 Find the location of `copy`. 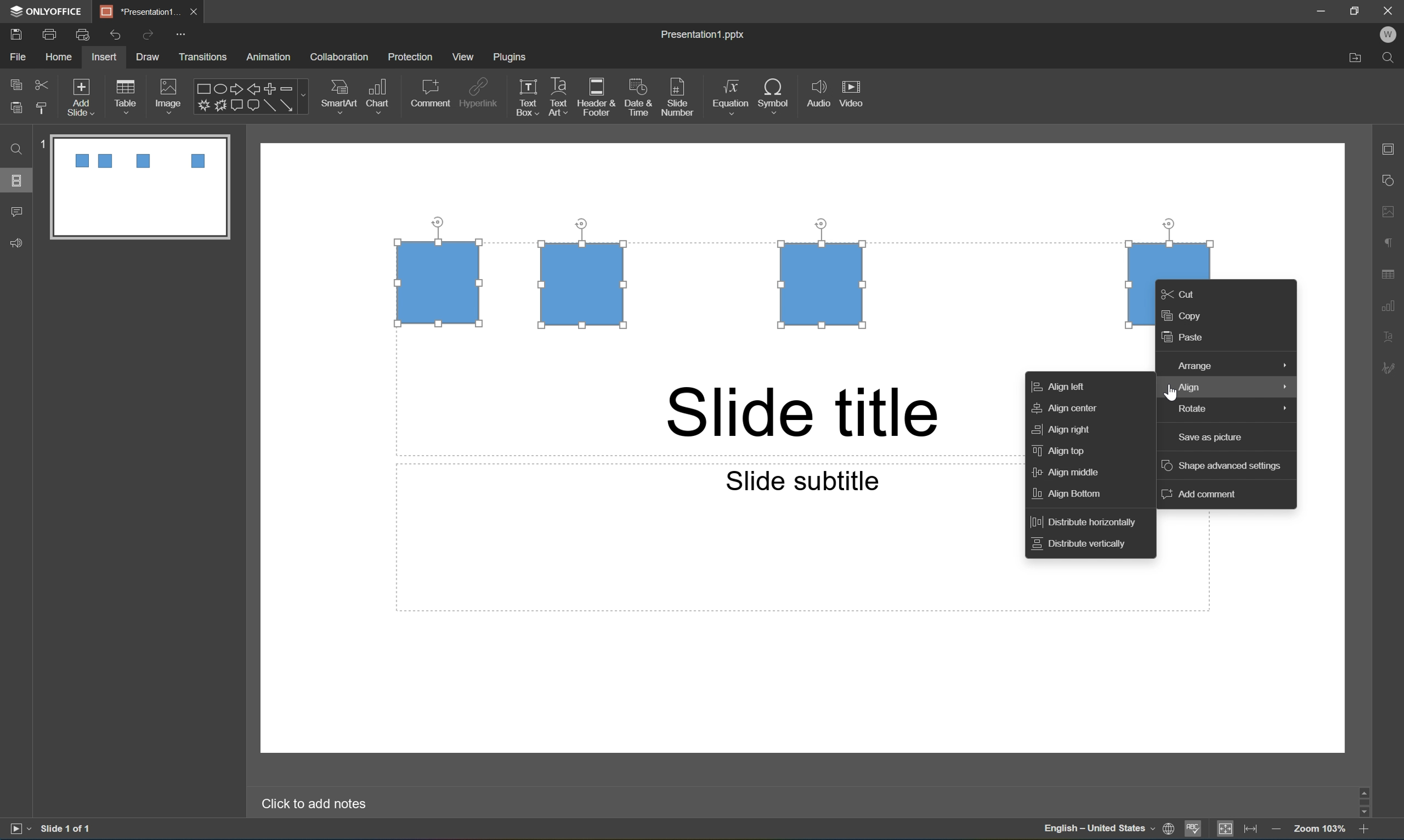

copy is located at coordinates (15, 83).